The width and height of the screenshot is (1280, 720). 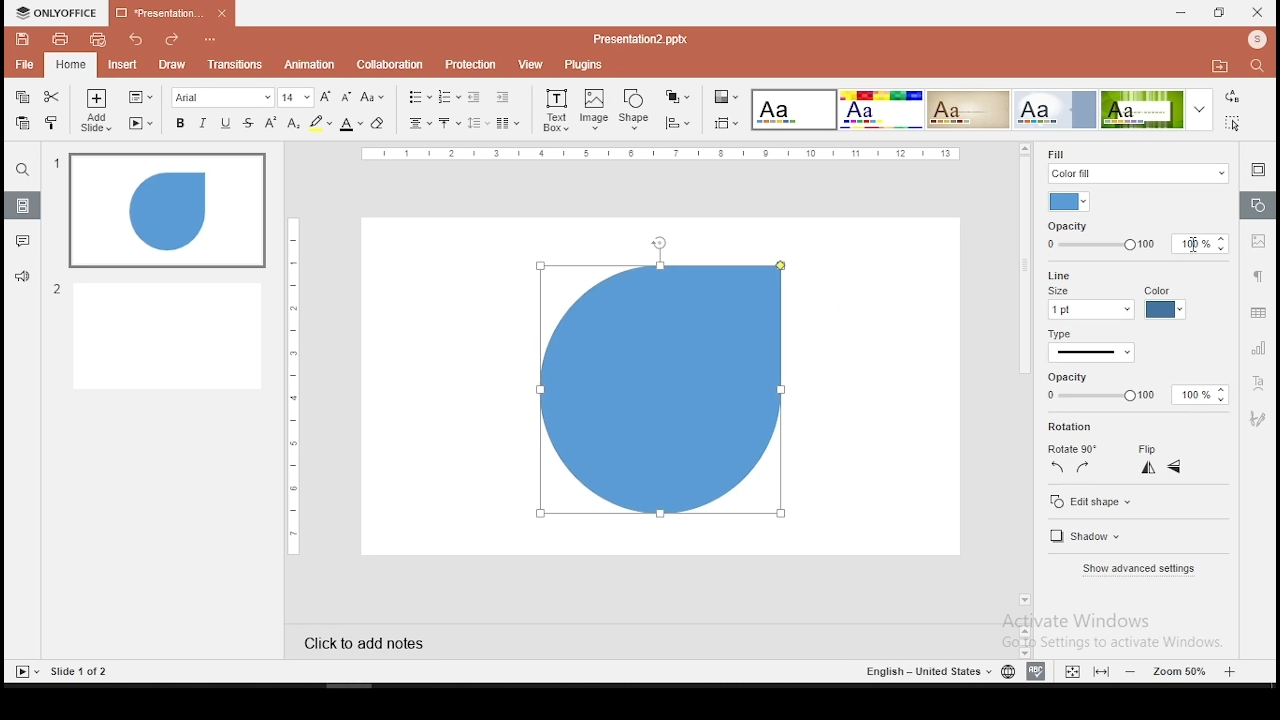 What do you see at coordinates (201, 124) in the screenshot?
I see `italics` at bounding box center [201, 124].